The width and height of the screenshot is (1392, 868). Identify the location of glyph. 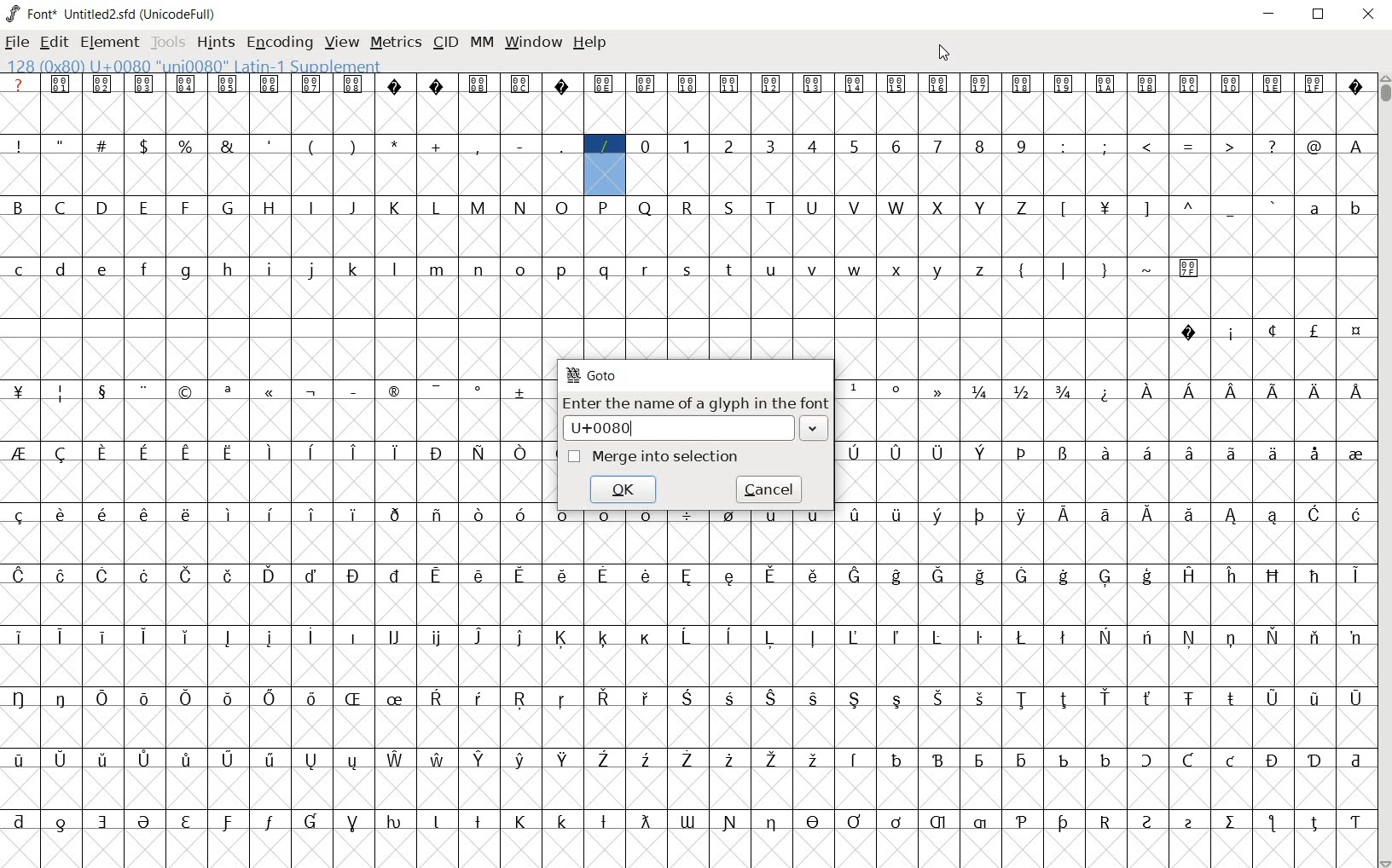
(1147, 822).